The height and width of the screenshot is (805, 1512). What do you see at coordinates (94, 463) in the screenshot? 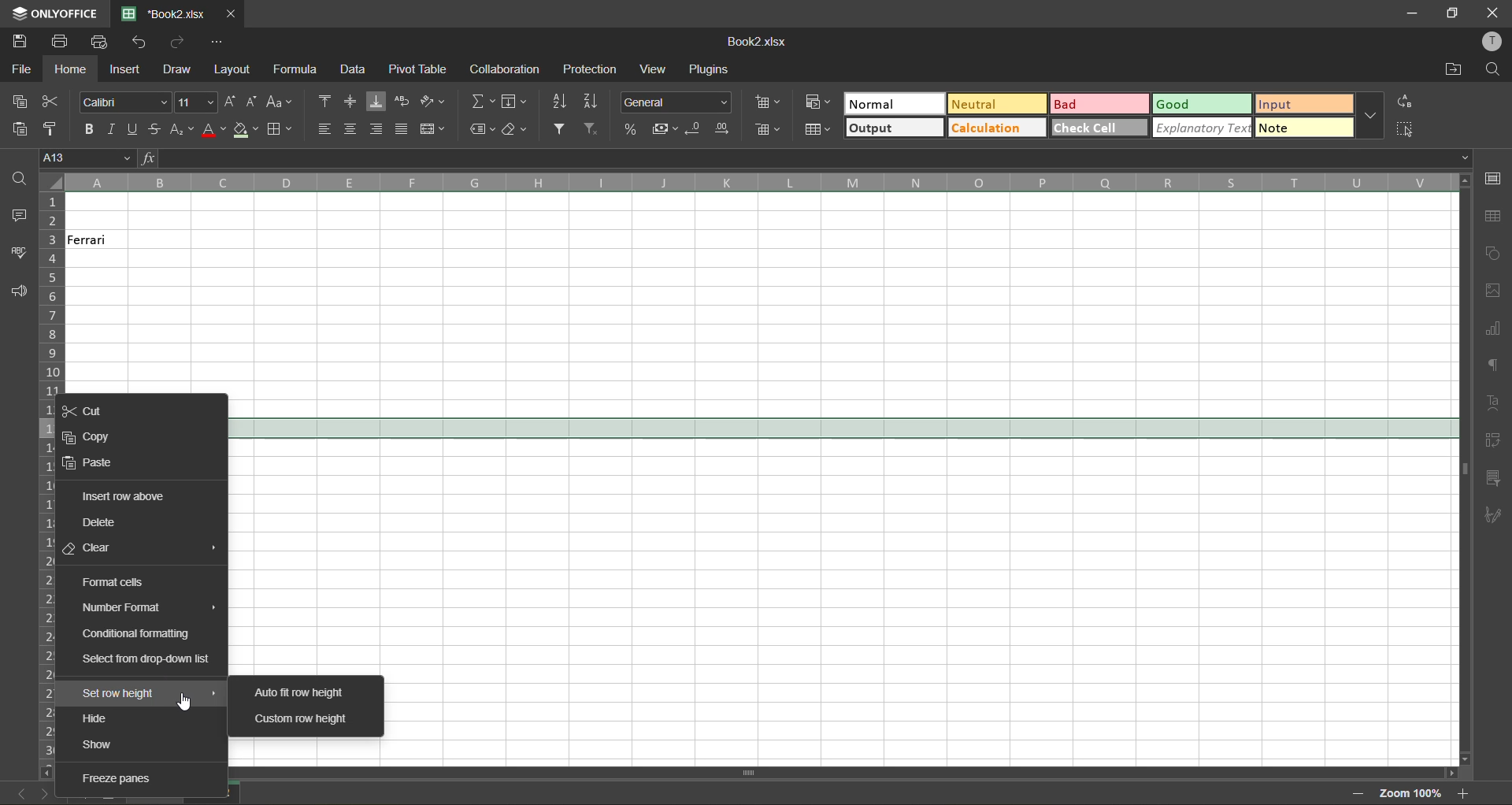
I see `paste` at bounding box center [94, 463].